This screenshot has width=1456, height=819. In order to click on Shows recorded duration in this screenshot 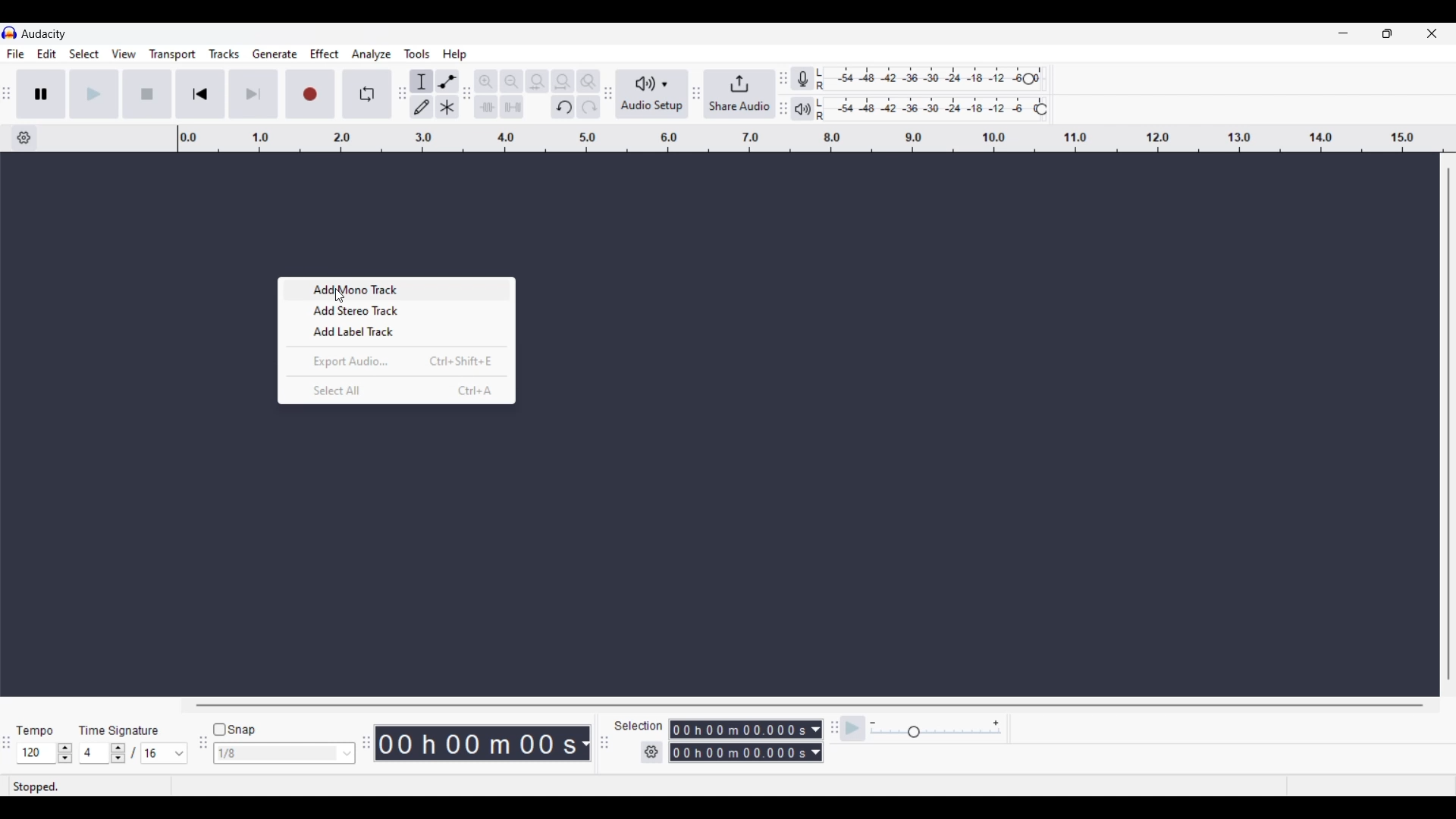, I will do `click(476, 743)`.